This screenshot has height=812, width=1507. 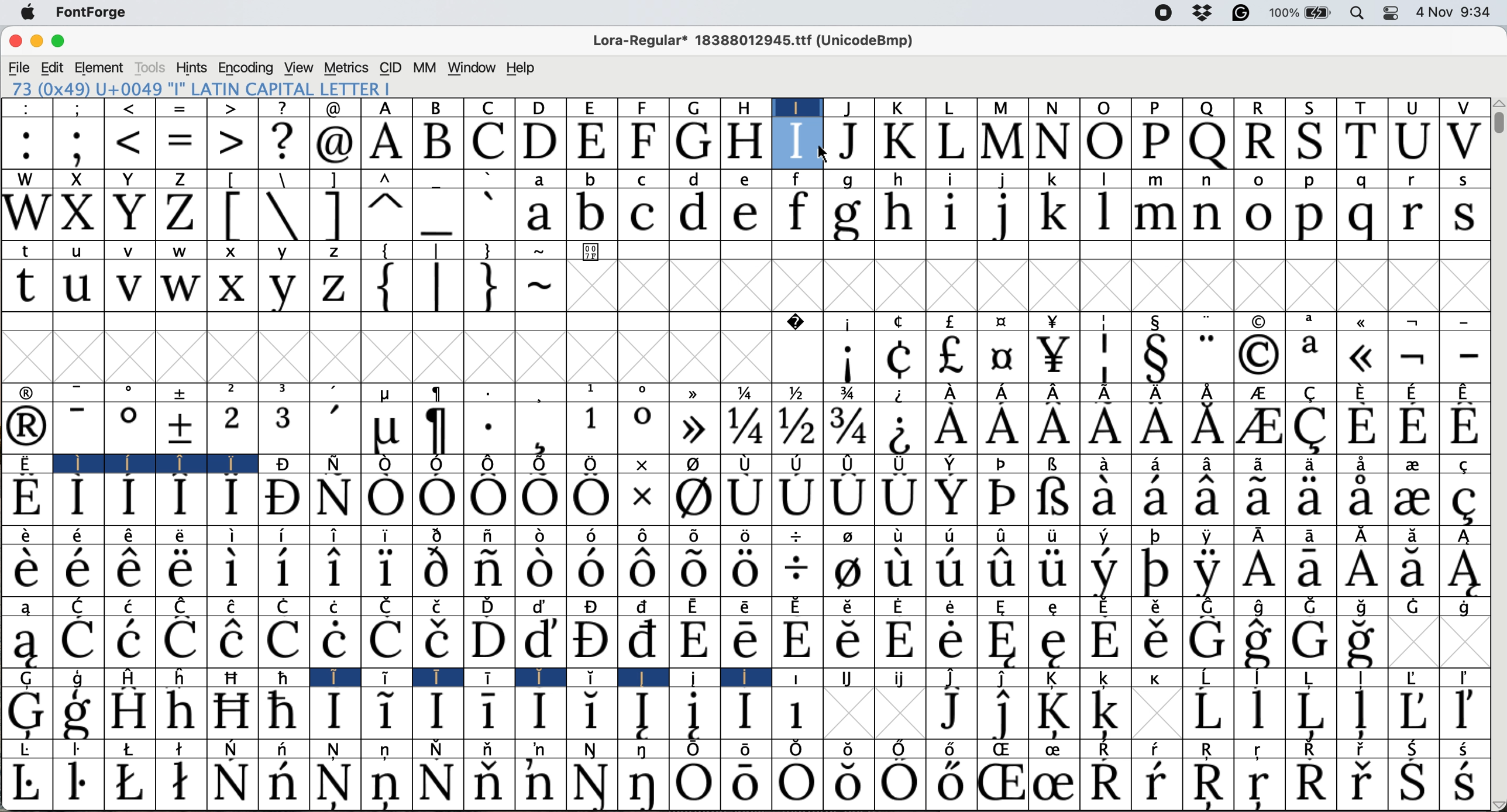 I want to click on Symbol, so click(x=1265, y=606).